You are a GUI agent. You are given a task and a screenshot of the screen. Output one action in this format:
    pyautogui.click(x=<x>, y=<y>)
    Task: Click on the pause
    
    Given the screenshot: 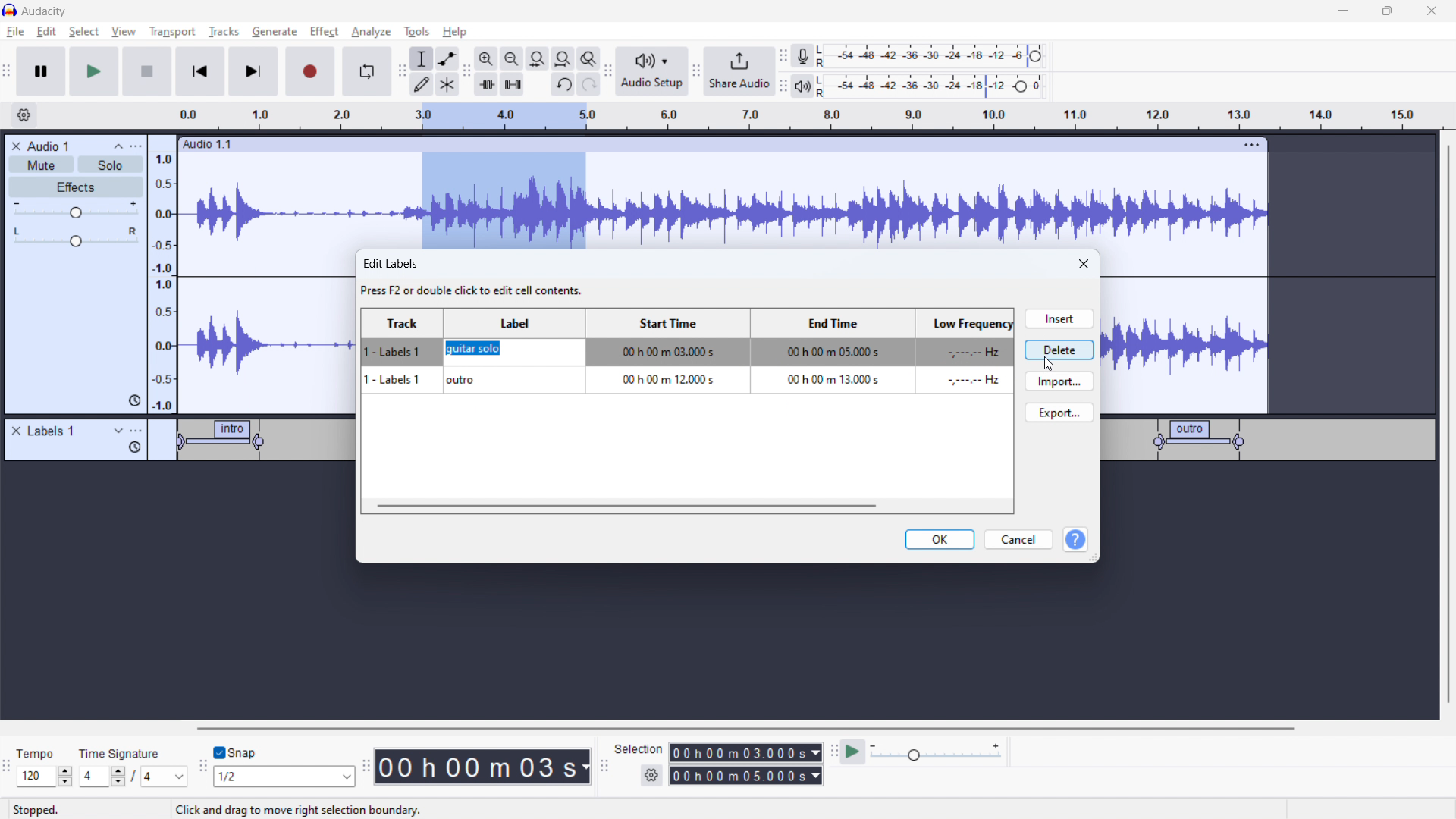 What is the action you would take?
    pyautogui.click(x=41, y=72)
    